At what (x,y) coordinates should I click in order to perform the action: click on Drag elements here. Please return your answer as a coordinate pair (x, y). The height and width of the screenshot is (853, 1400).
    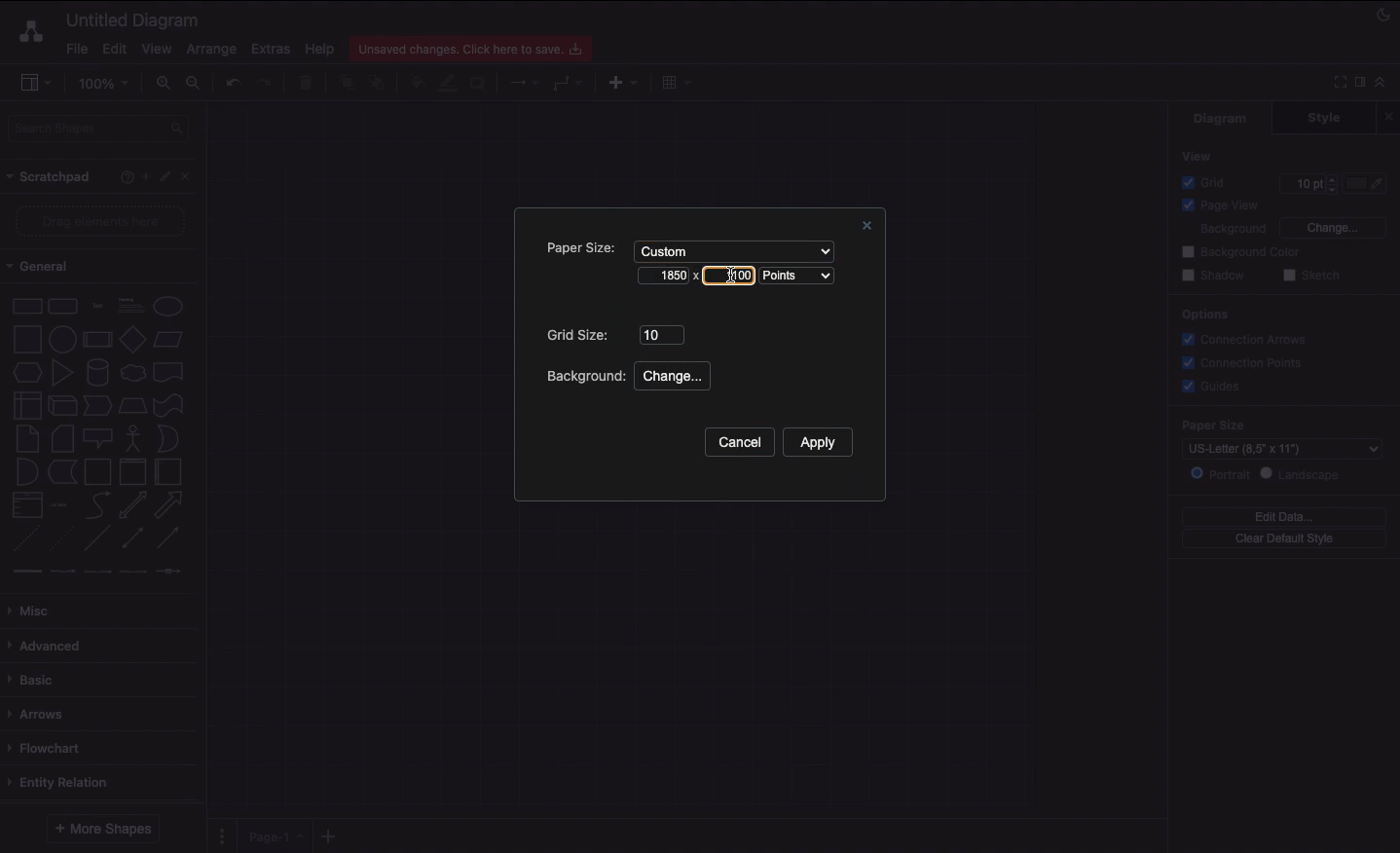
    Looking at the image, I should click on (103, 221).